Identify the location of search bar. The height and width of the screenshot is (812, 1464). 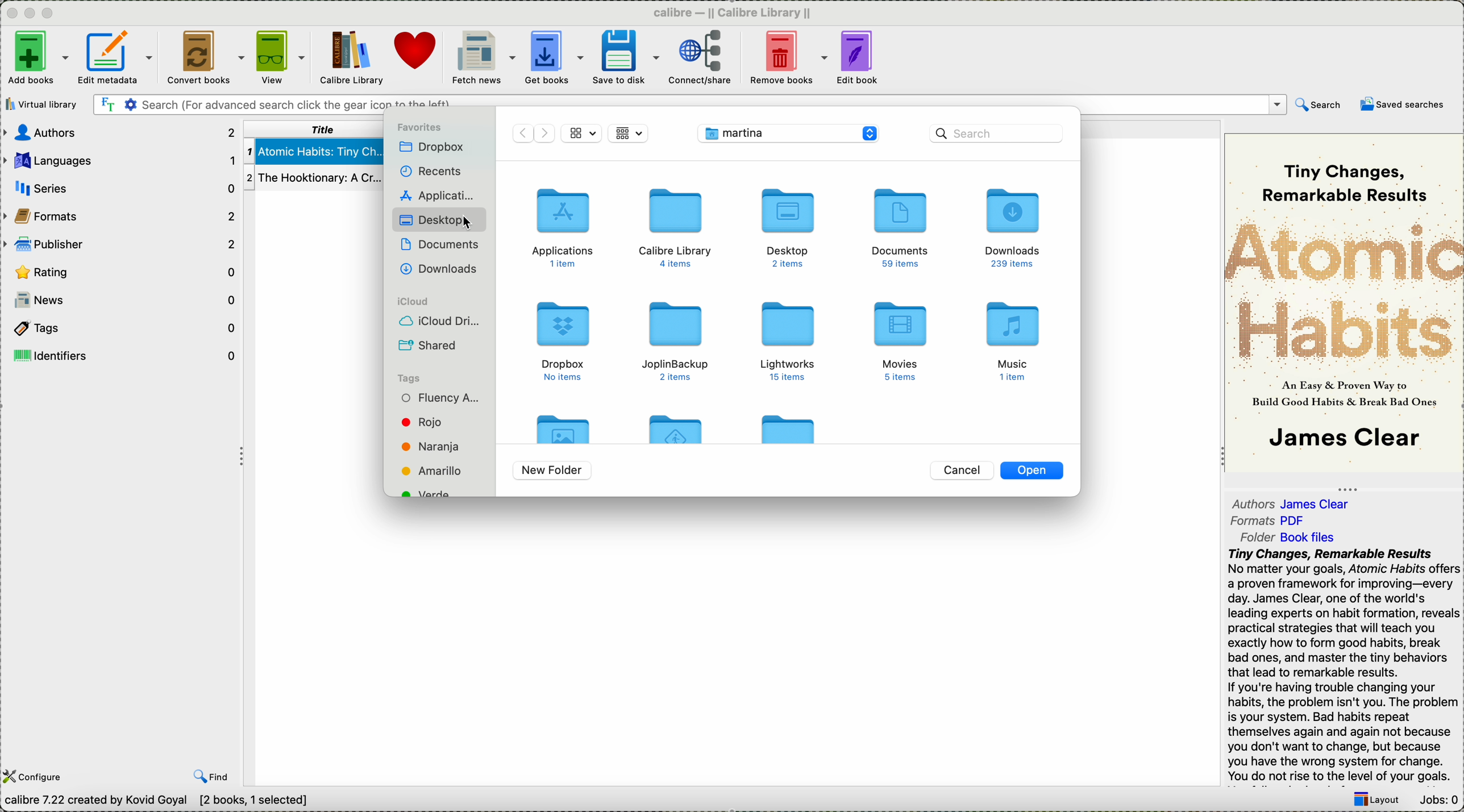
(985, 134).